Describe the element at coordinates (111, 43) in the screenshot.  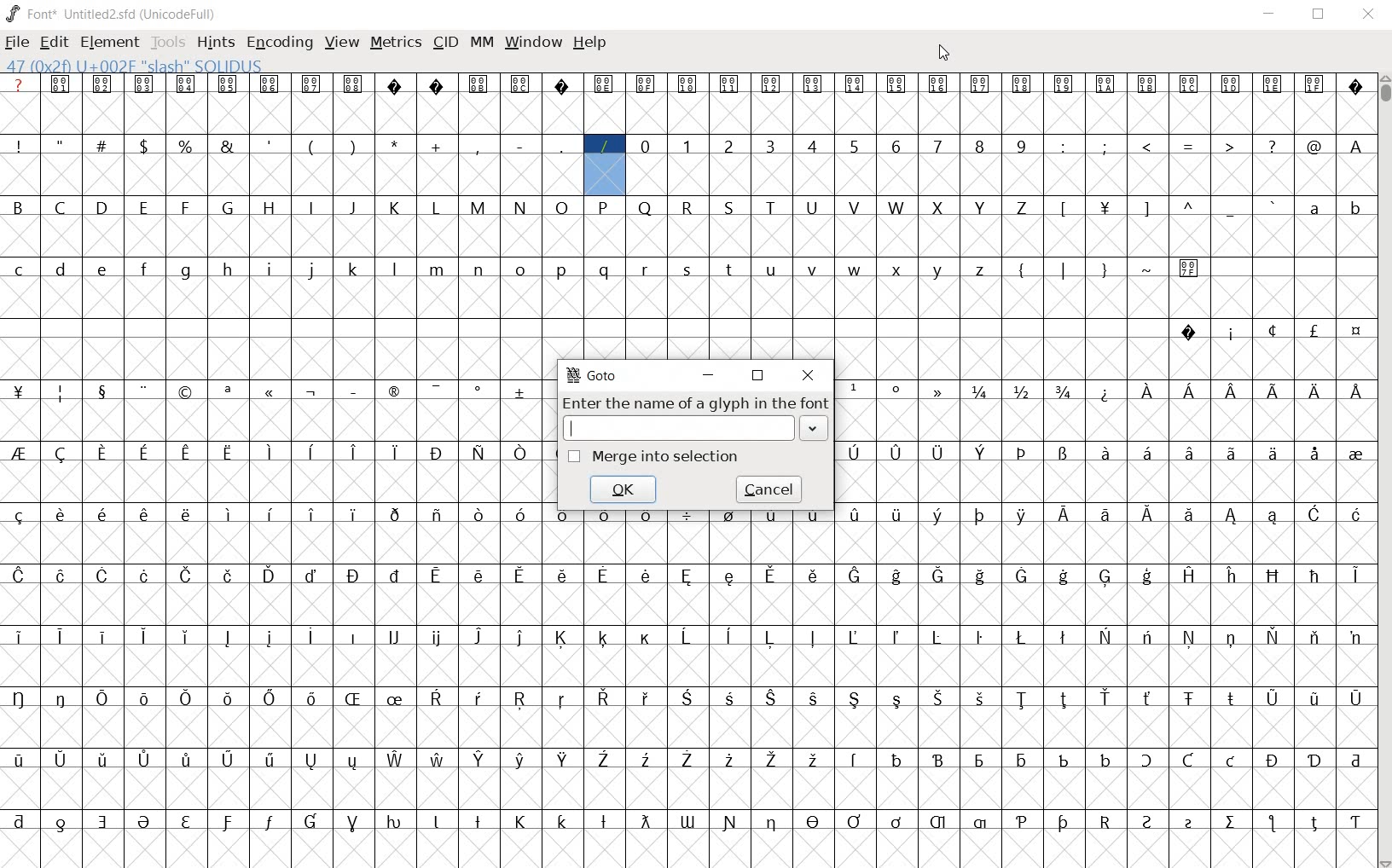
I see `ELEMENT` at that location.